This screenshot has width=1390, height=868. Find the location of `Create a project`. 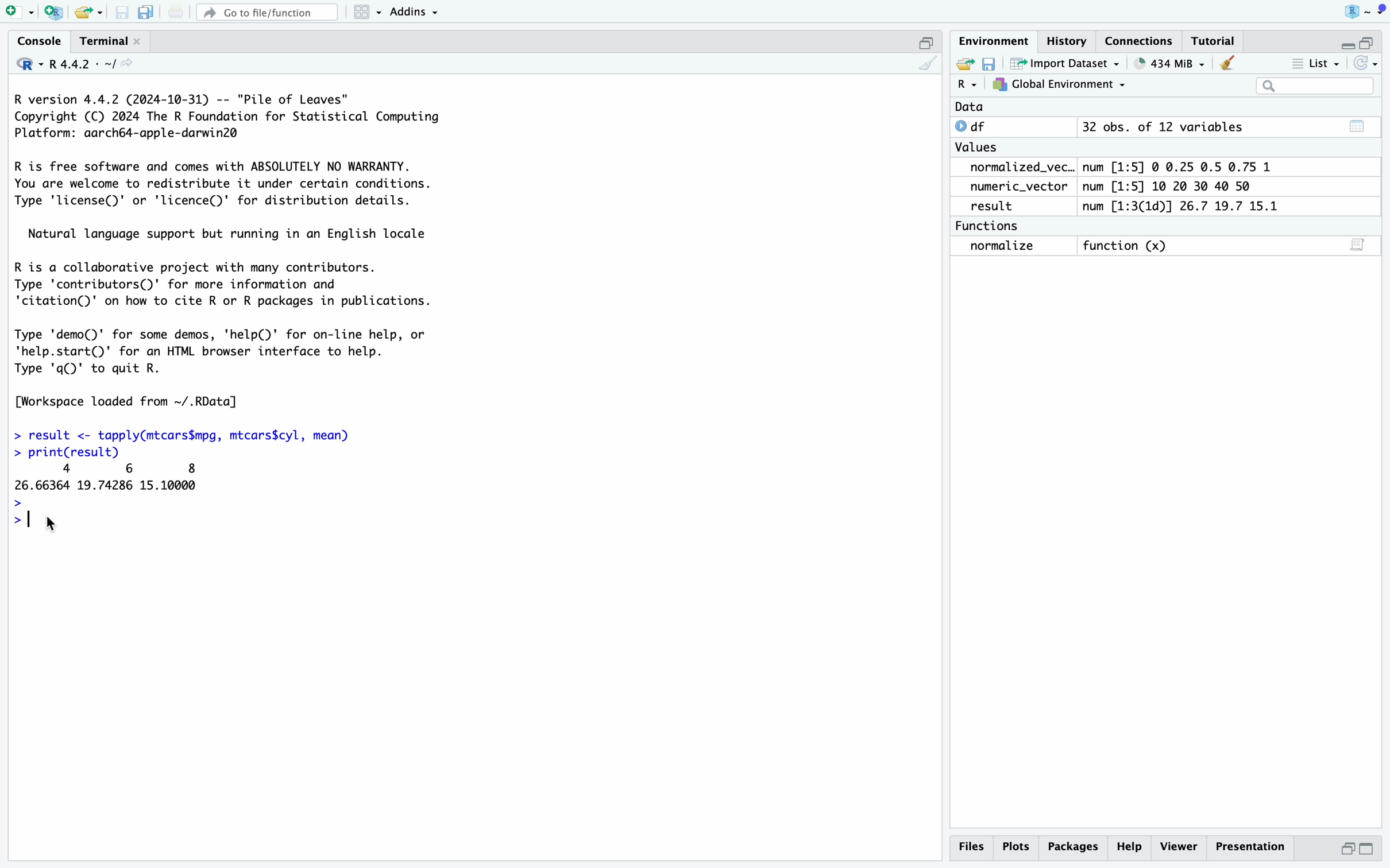

Create a project is located at coordinates (53, 12).